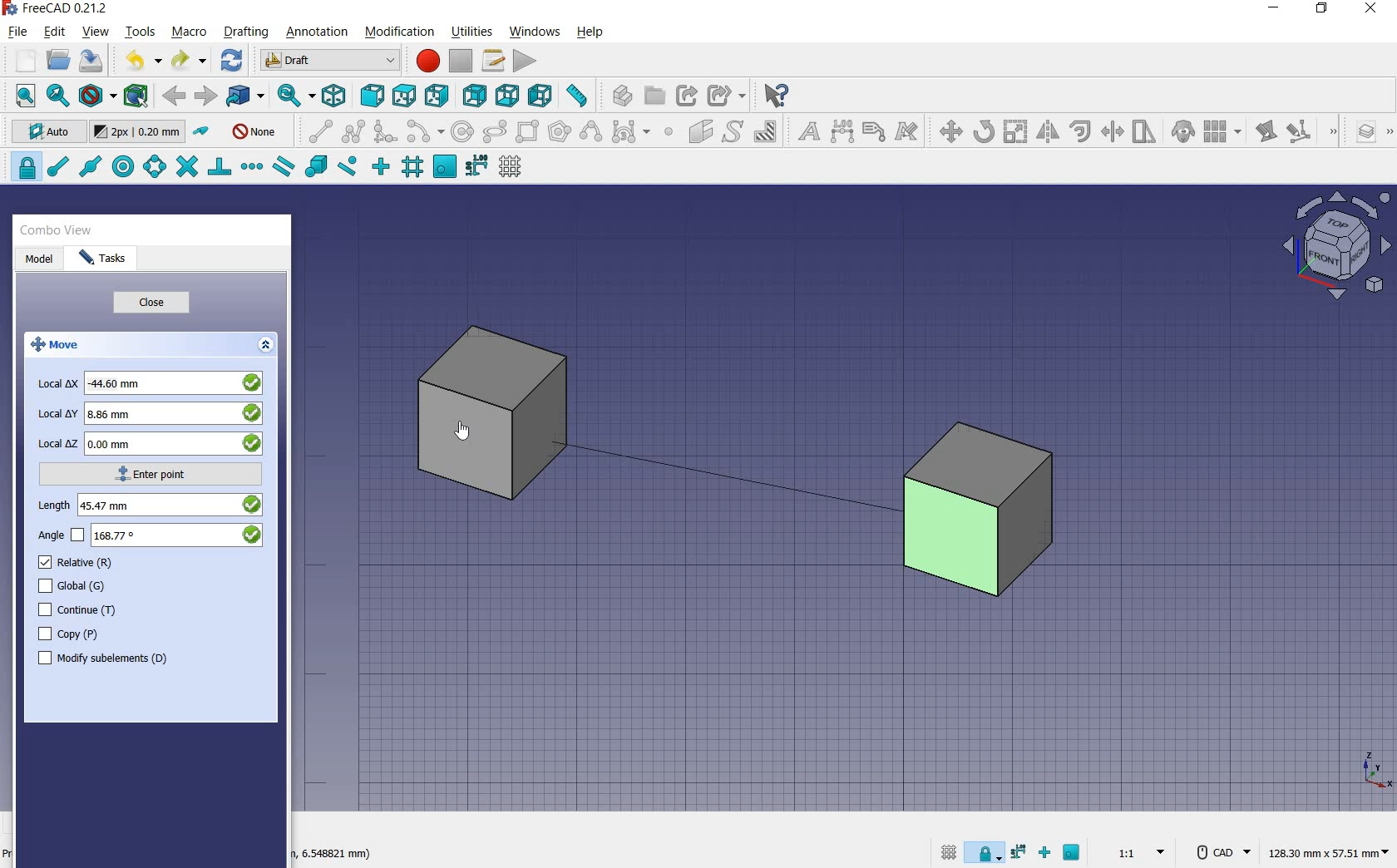 This screenshot has width=1397, height=868. What do you see at coordinates (316, 131) in the screenshot?
I see `line` at bounding box center [316, 131].